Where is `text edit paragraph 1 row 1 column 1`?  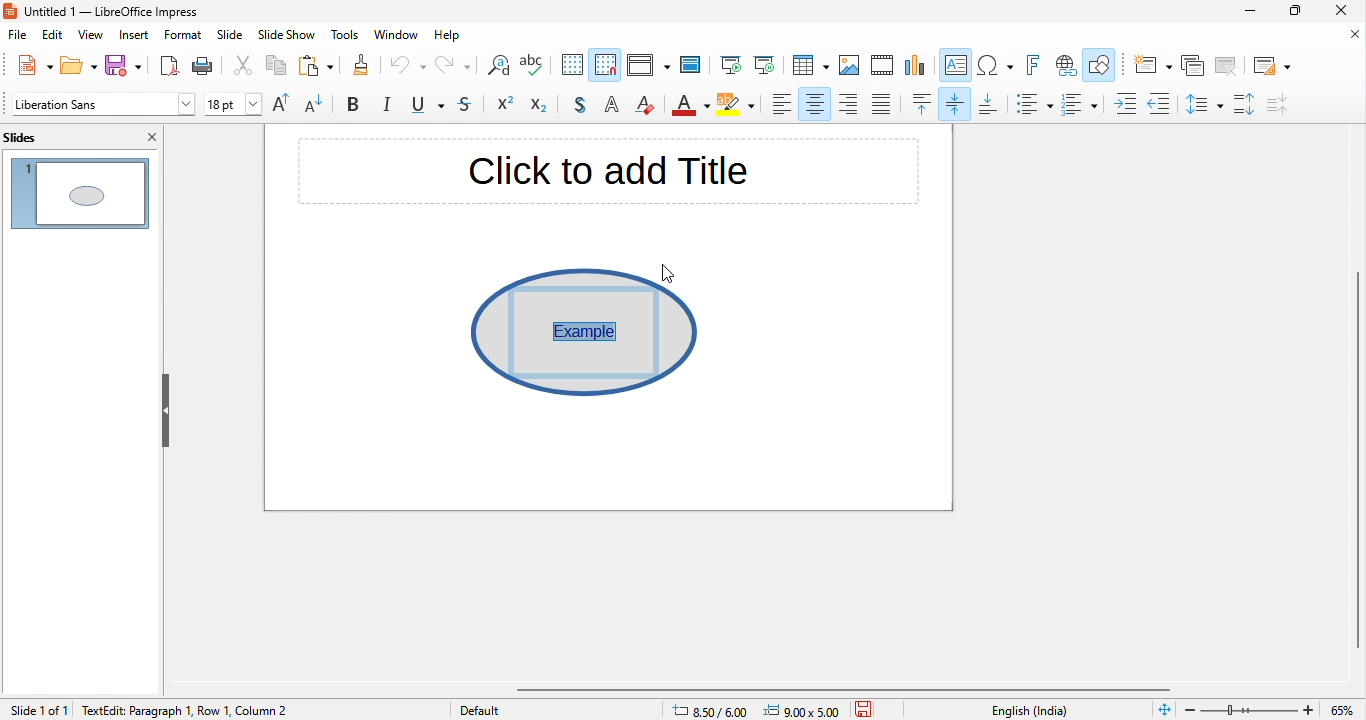 text edit paragraph 1 row 1 column 1 is located at coordinates (177, 709).